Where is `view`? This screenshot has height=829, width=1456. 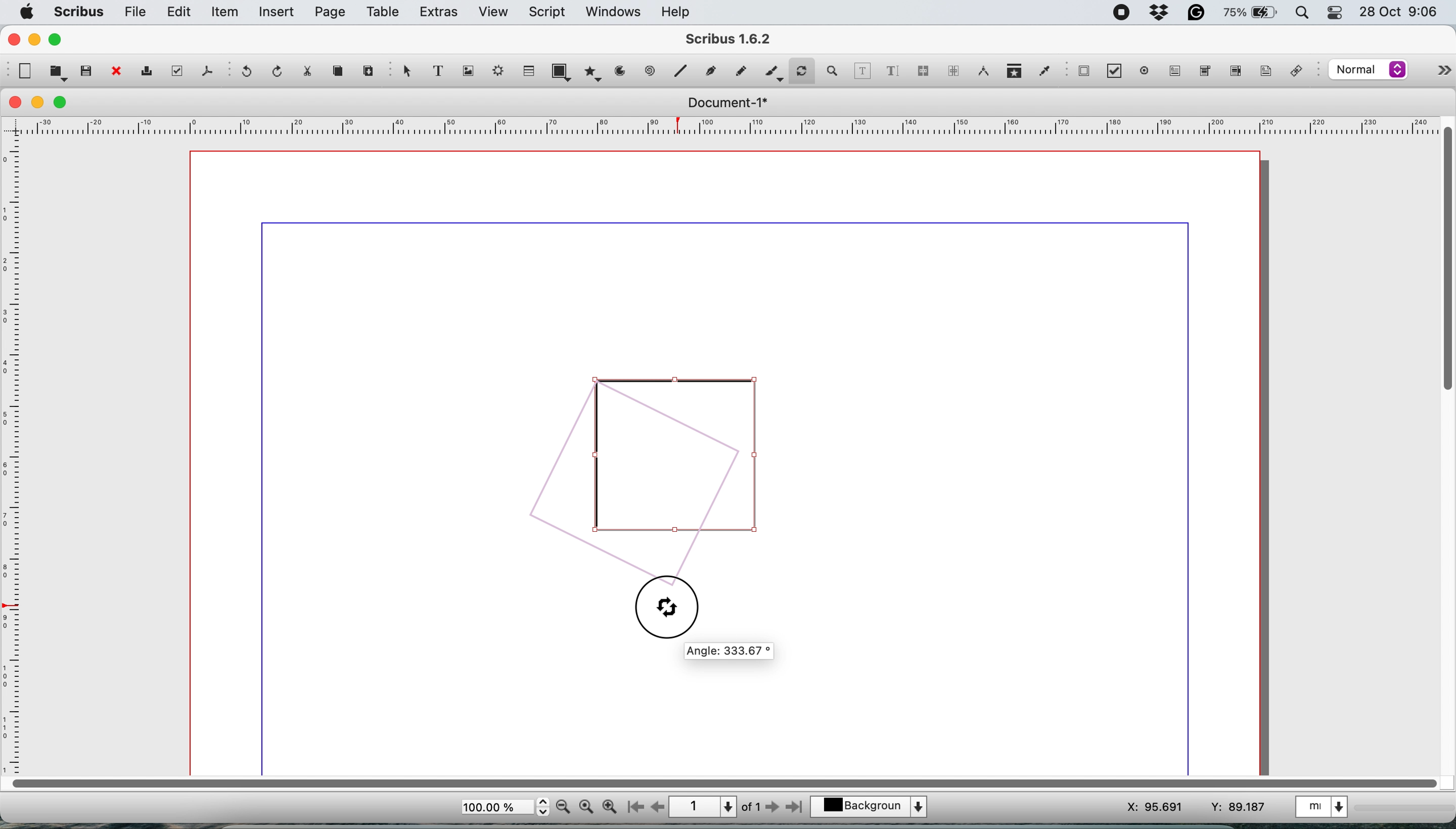 view is located at coordinates (493, 12).